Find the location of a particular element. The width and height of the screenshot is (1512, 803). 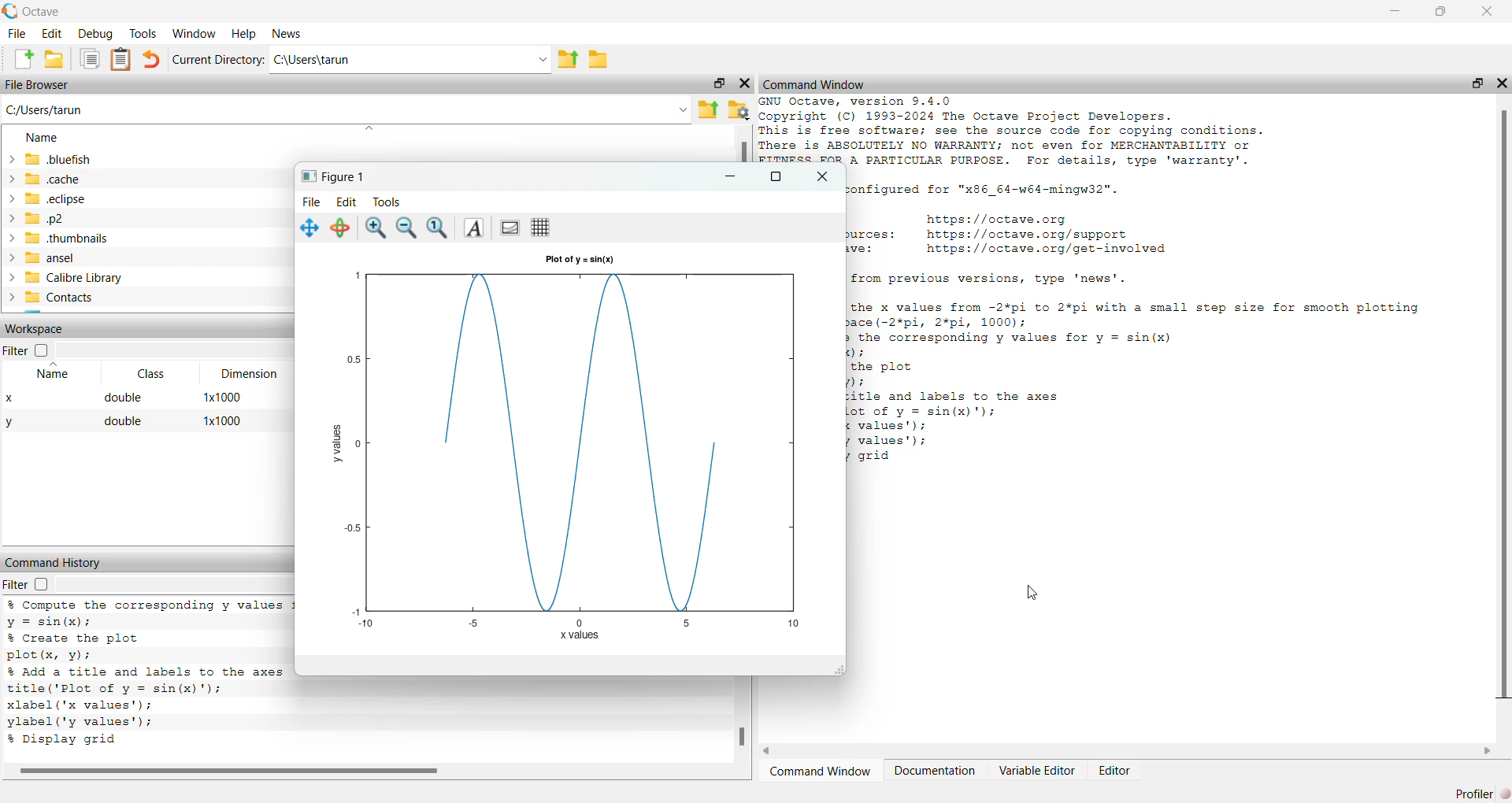

undo is located at coordinates (150, 60).